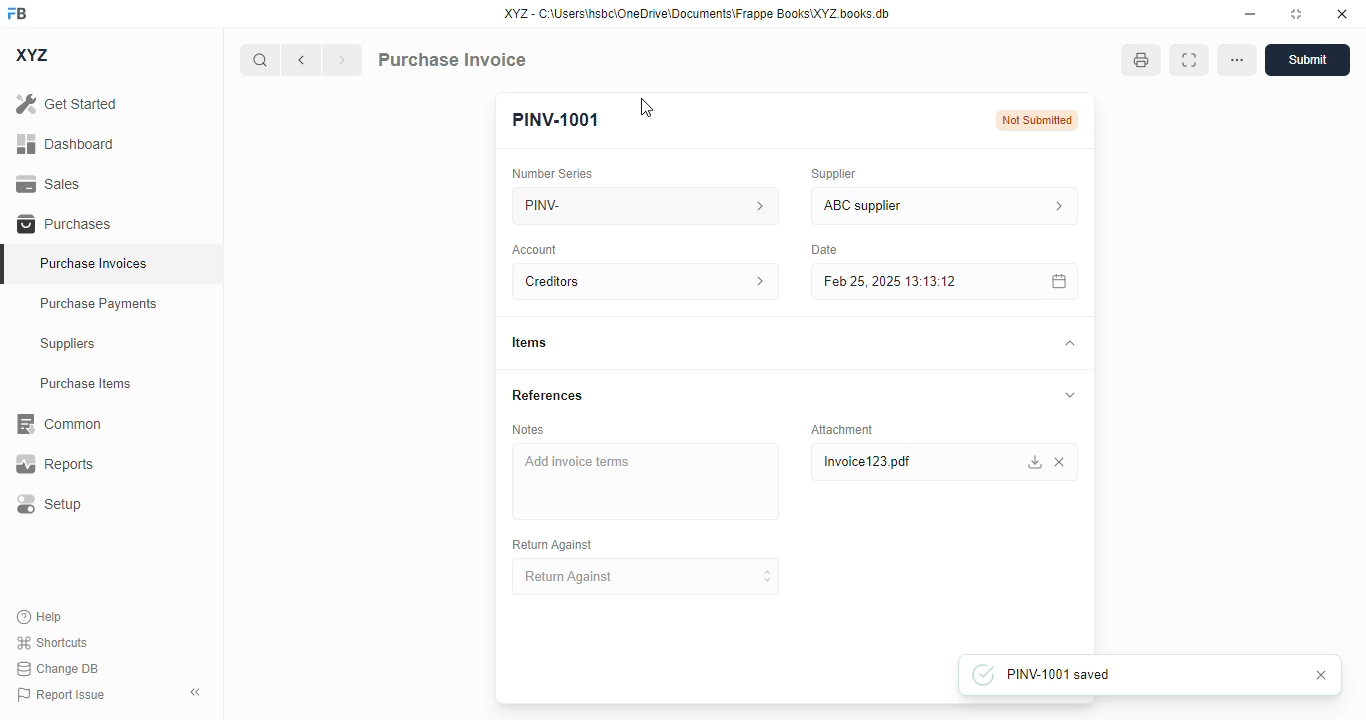 The width and height of the screenshot is (1366, 720). Describe the element at coordinates (617, 281) in the screenshot. I see `creditors` at that location.